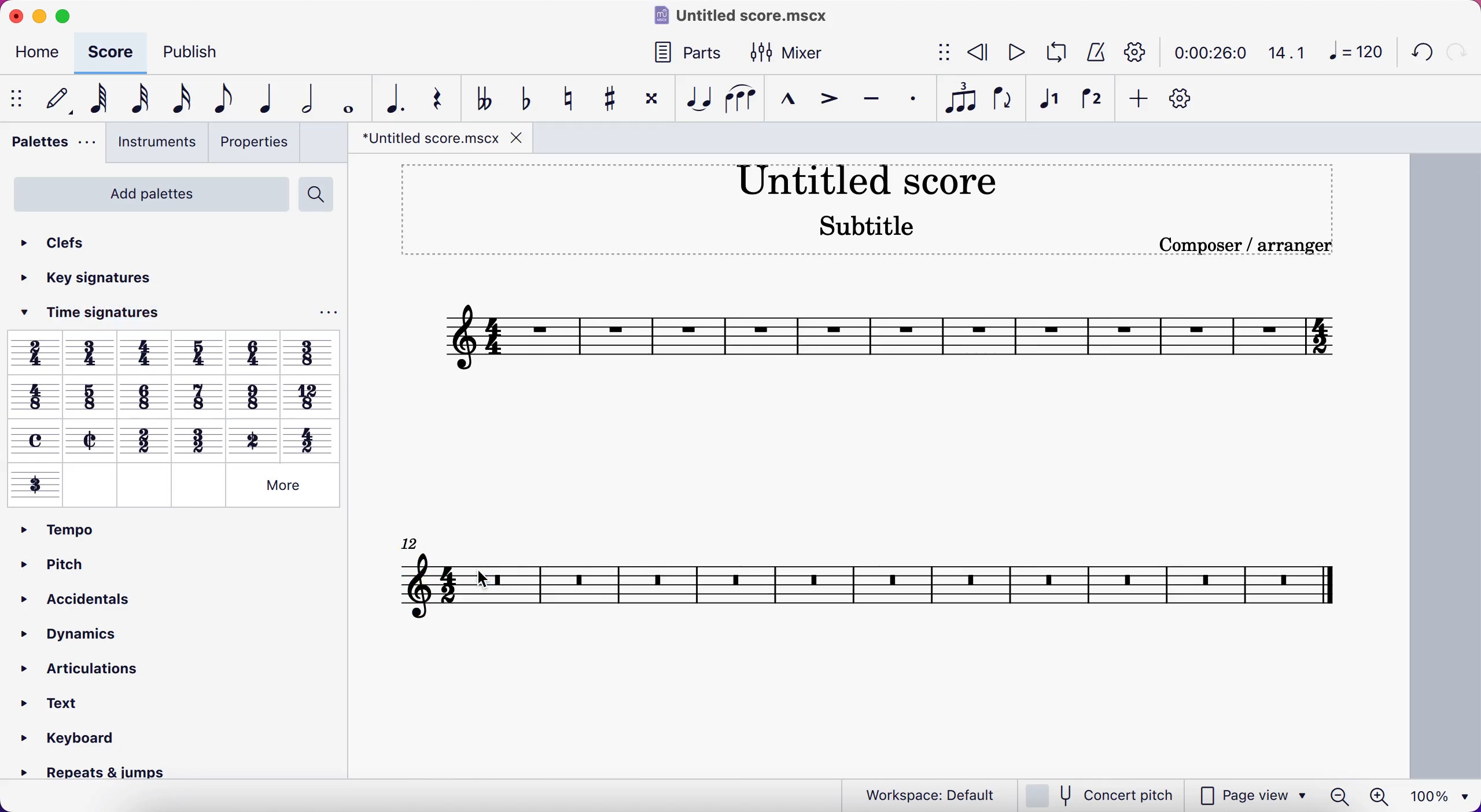  What do you see at coordinates (1385, 796) in the screenshot?
I see `zoom in` at bounding box center [1385, 796].